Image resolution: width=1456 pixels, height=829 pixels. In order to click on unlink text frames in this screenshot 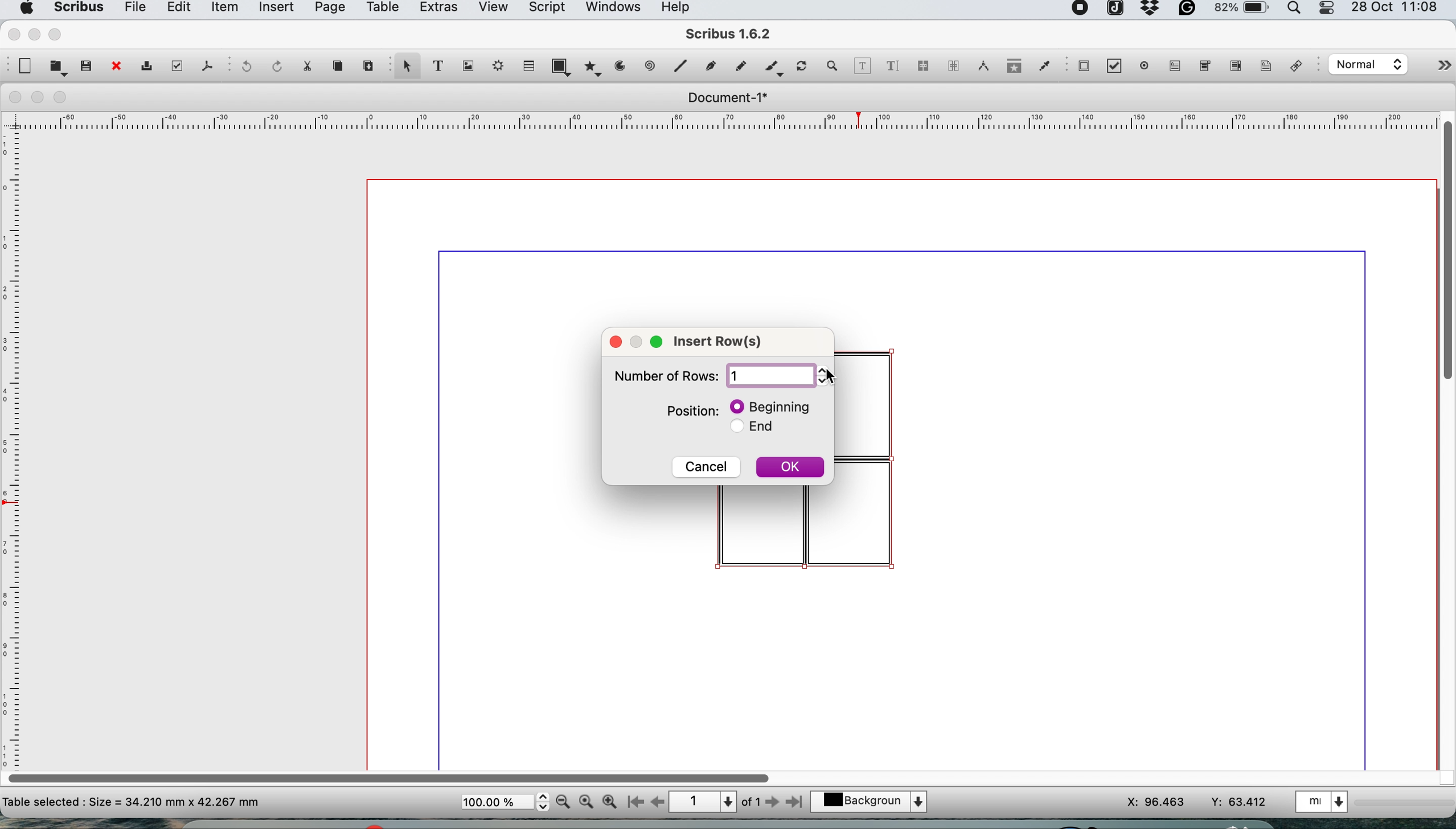, I will do `click(953, 69)`.